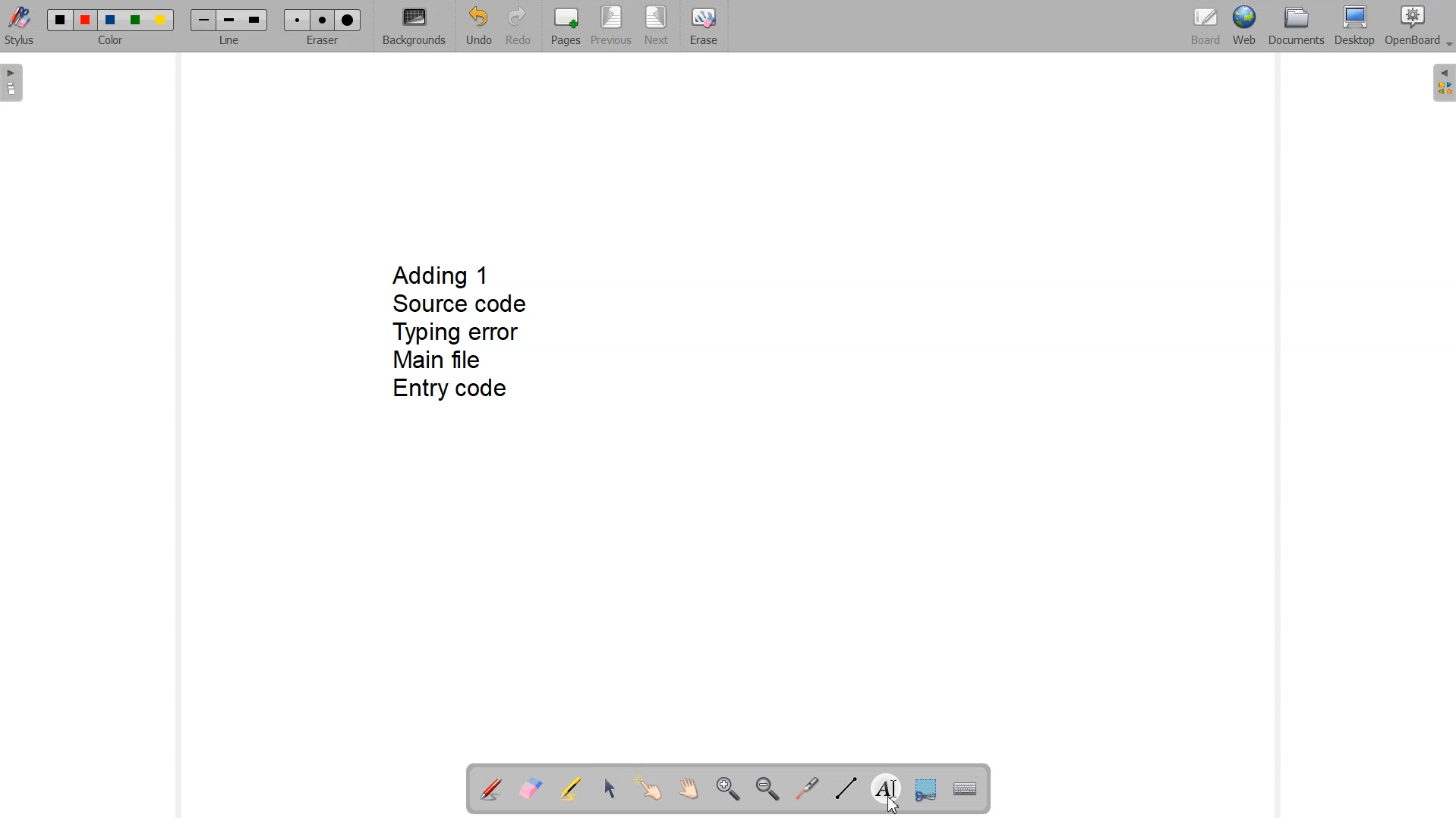 This screenshot has width=1456, height=818. What do you see at coordinates (490, 787) in the screenshot?
I see `Annotation document` at bounding box center [490, 787].